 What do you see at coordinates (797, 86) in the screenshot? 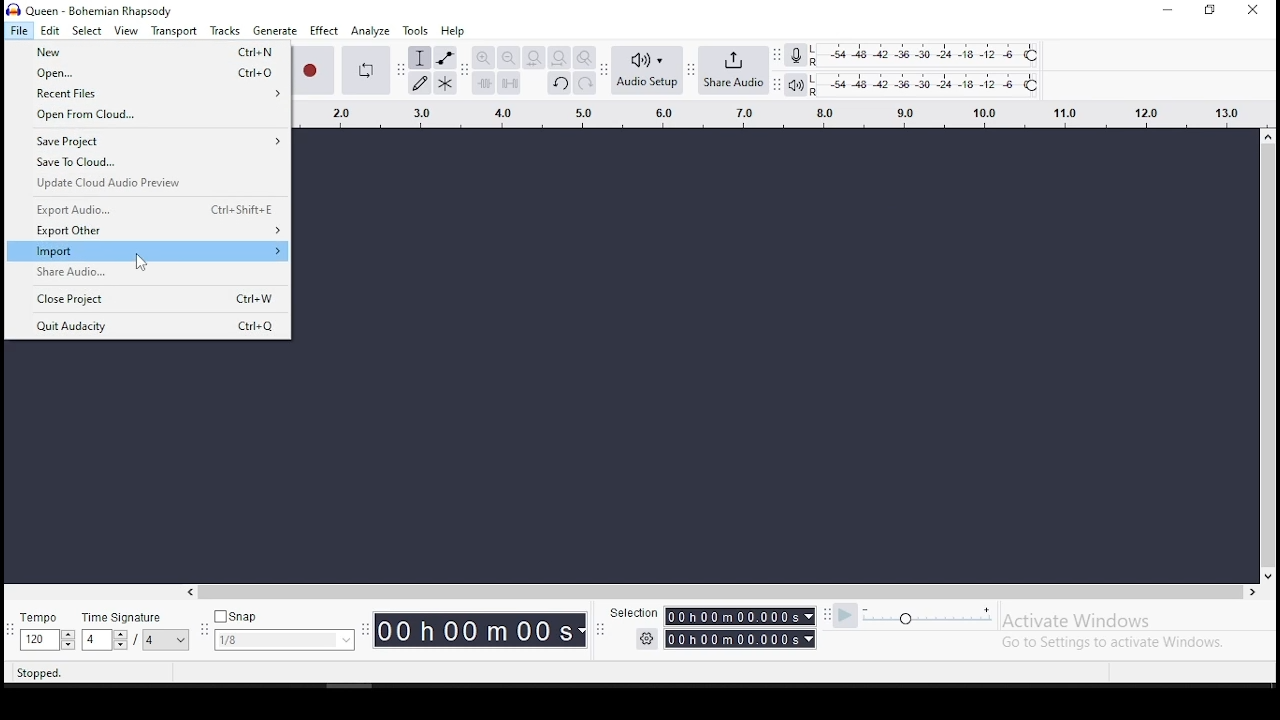
I see `playback ` at bounding box center [797, 86].